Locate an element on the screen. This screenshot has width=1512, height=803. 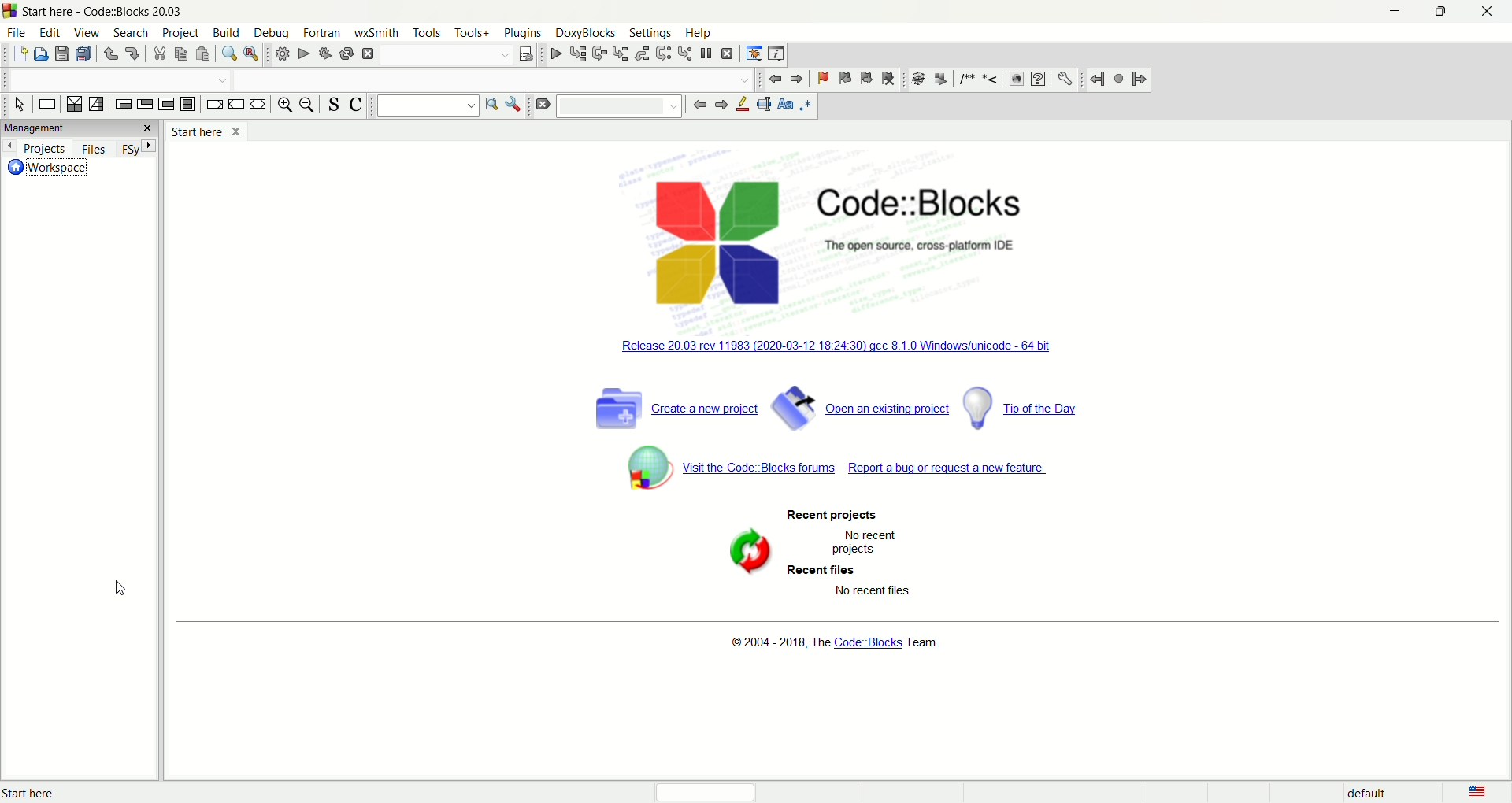
jump forward is located at coordinates (799, 78).